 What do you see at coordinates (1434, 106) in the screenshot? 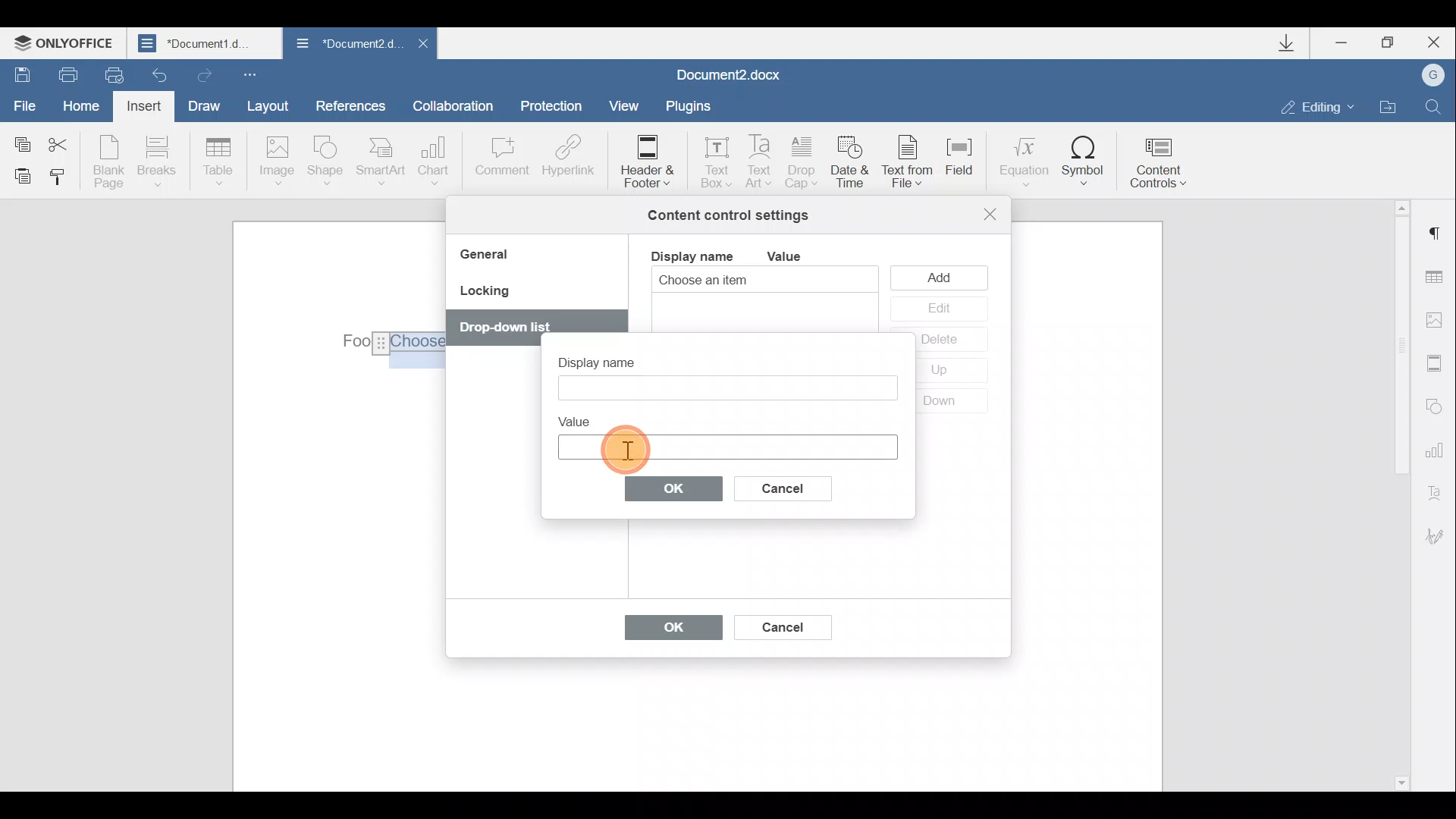
I see `Find` at bounding box center [1434, 106].